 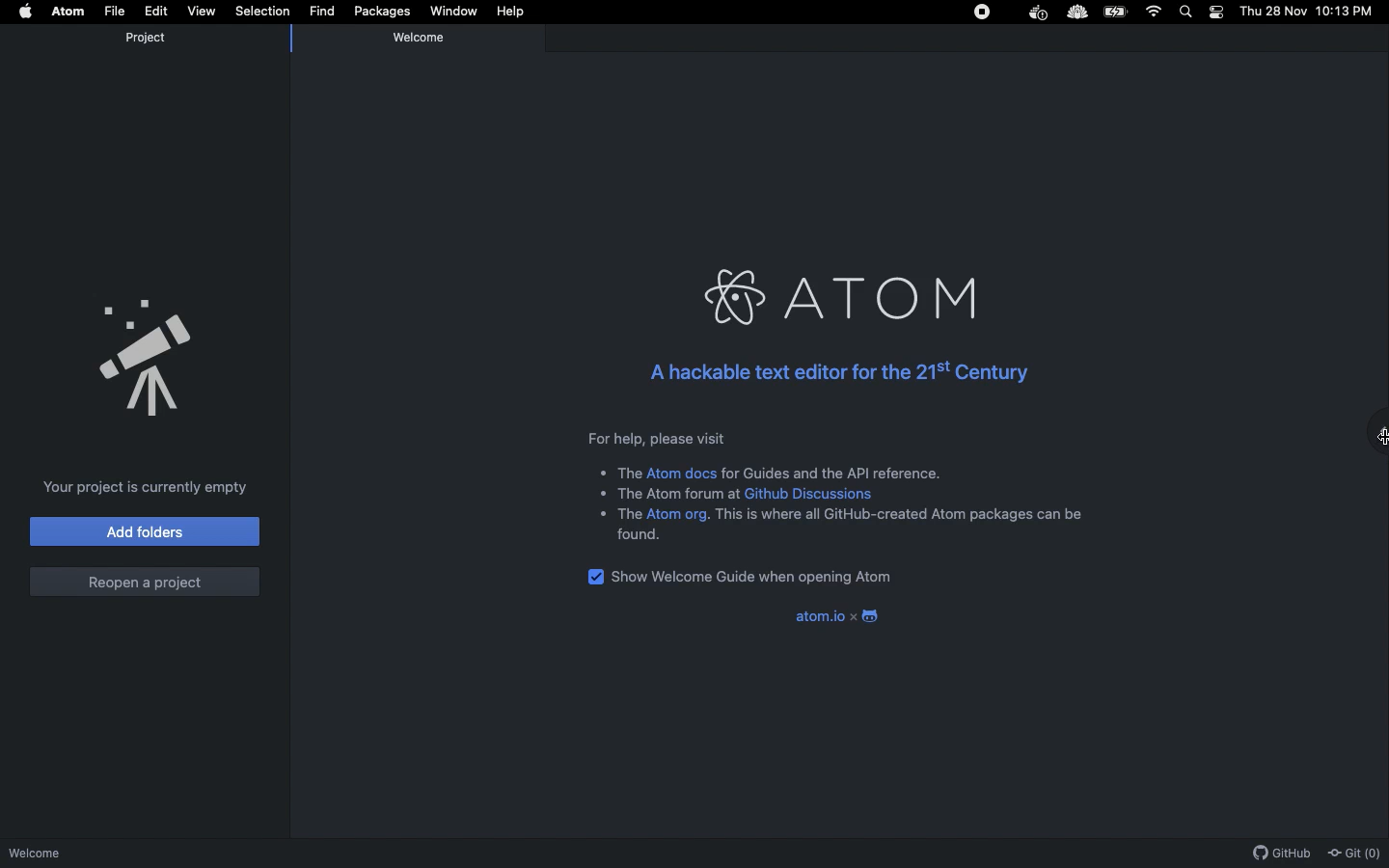 I want to click on Packages, so click(x=383, y=12).